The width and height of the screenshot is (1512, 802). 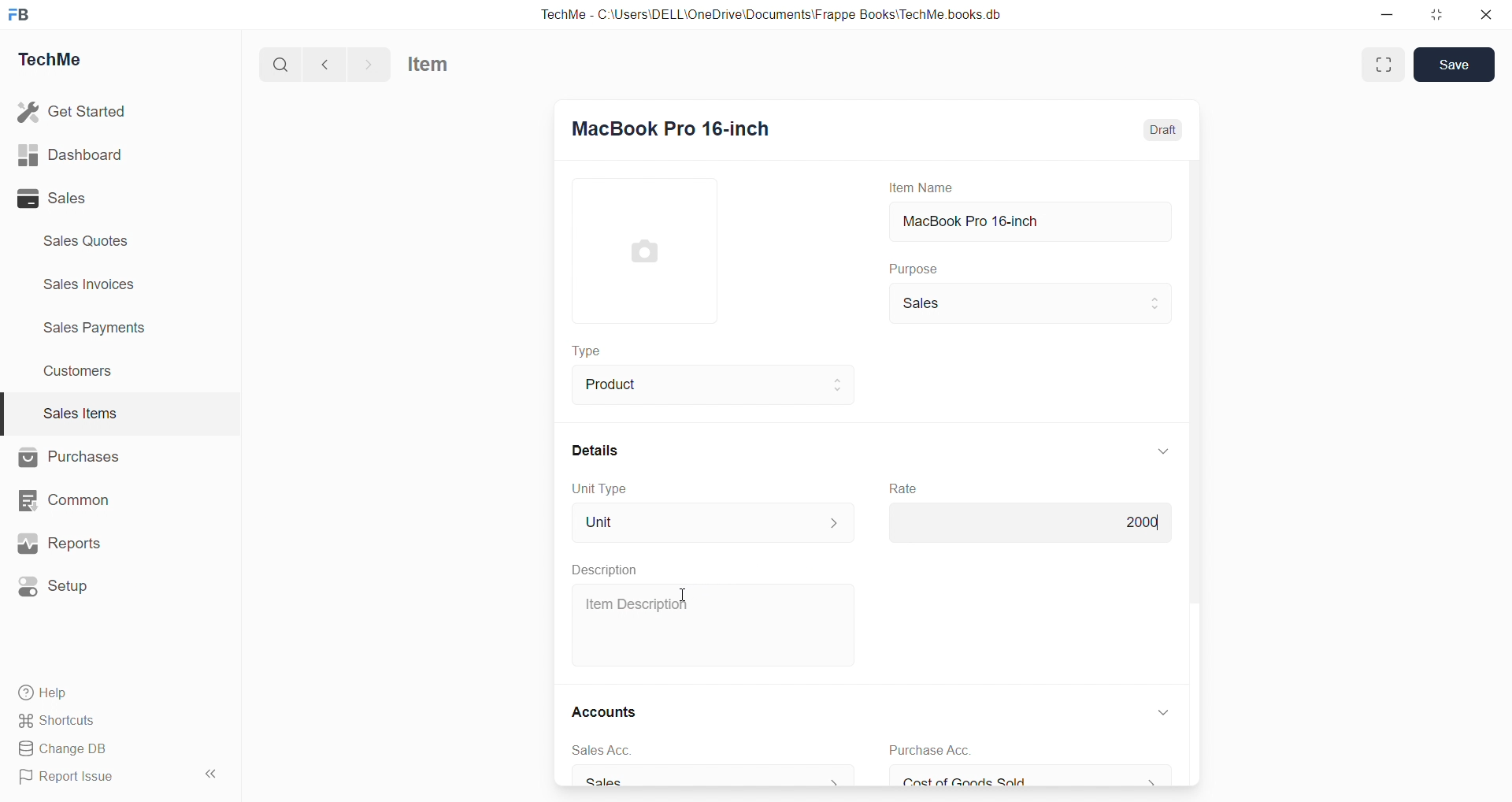 I want to click on Details, so click(x=595, y=451).